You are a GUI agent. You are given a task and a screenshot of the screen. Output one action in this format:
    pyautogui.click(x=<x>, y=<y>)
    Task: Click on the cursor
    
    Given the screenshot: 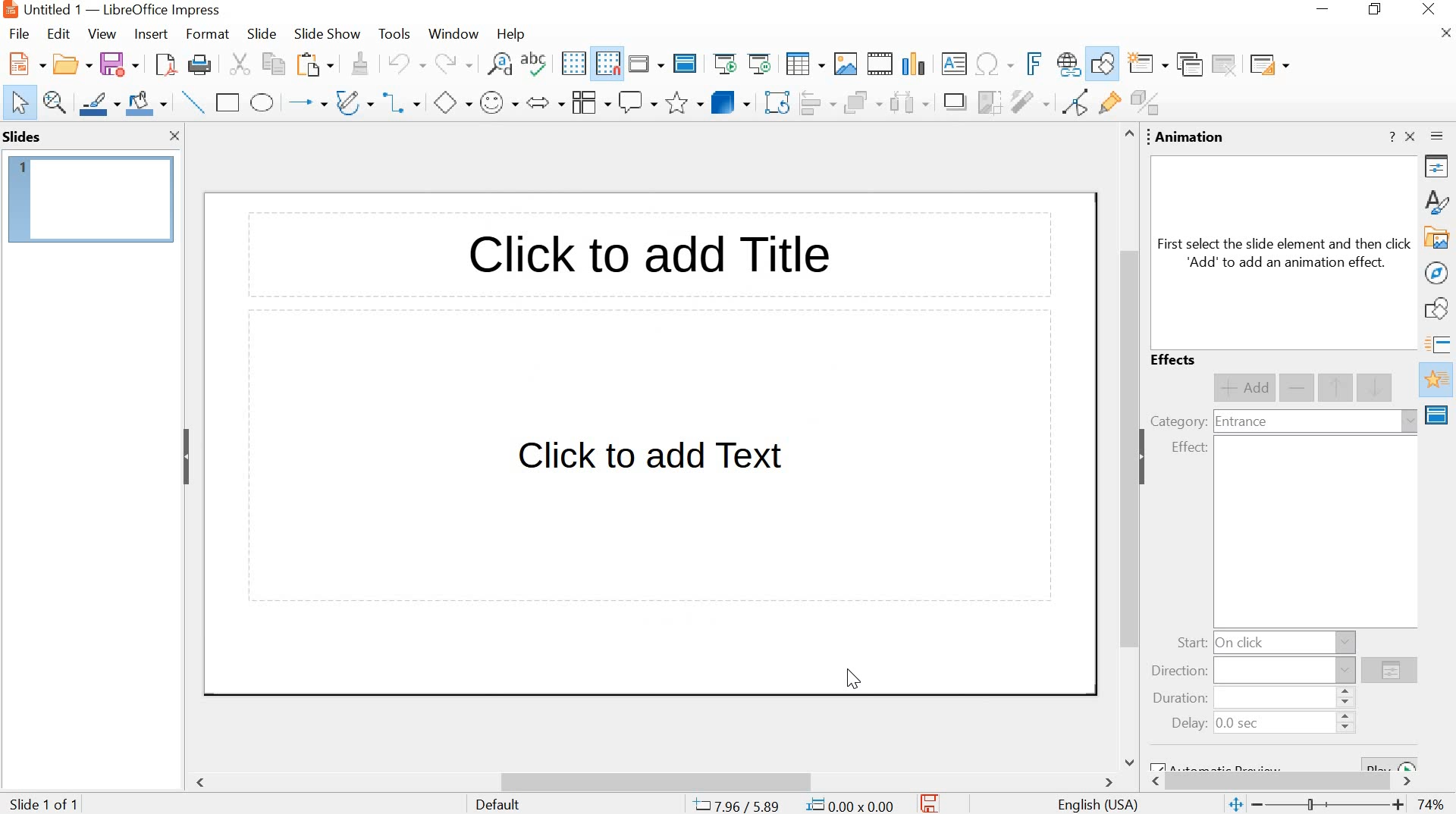 What is the action you would take?
    pyautogui.click(x=853, y=678)
    